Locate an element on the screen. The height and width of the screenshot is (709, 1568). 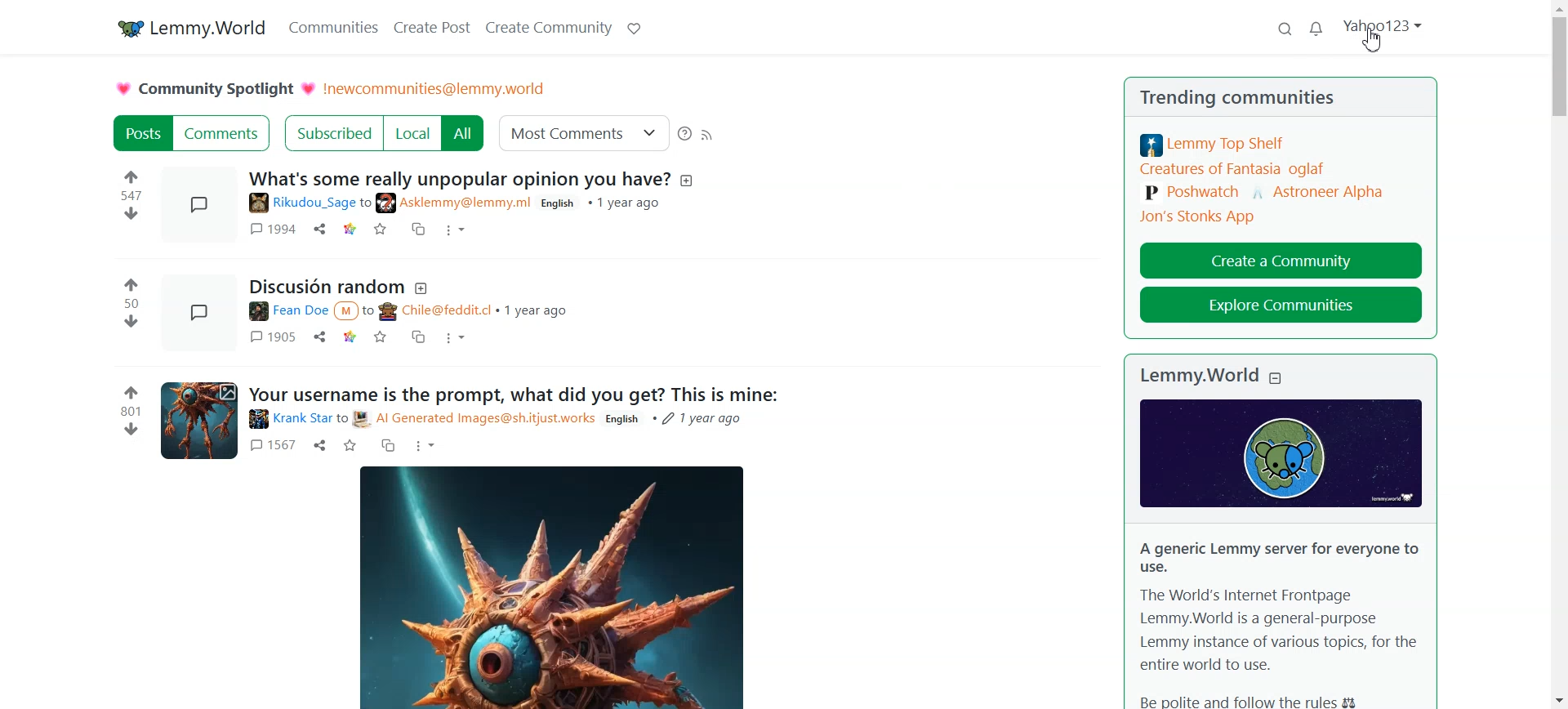
Lemmy.world is located at coordinates (187, 26).